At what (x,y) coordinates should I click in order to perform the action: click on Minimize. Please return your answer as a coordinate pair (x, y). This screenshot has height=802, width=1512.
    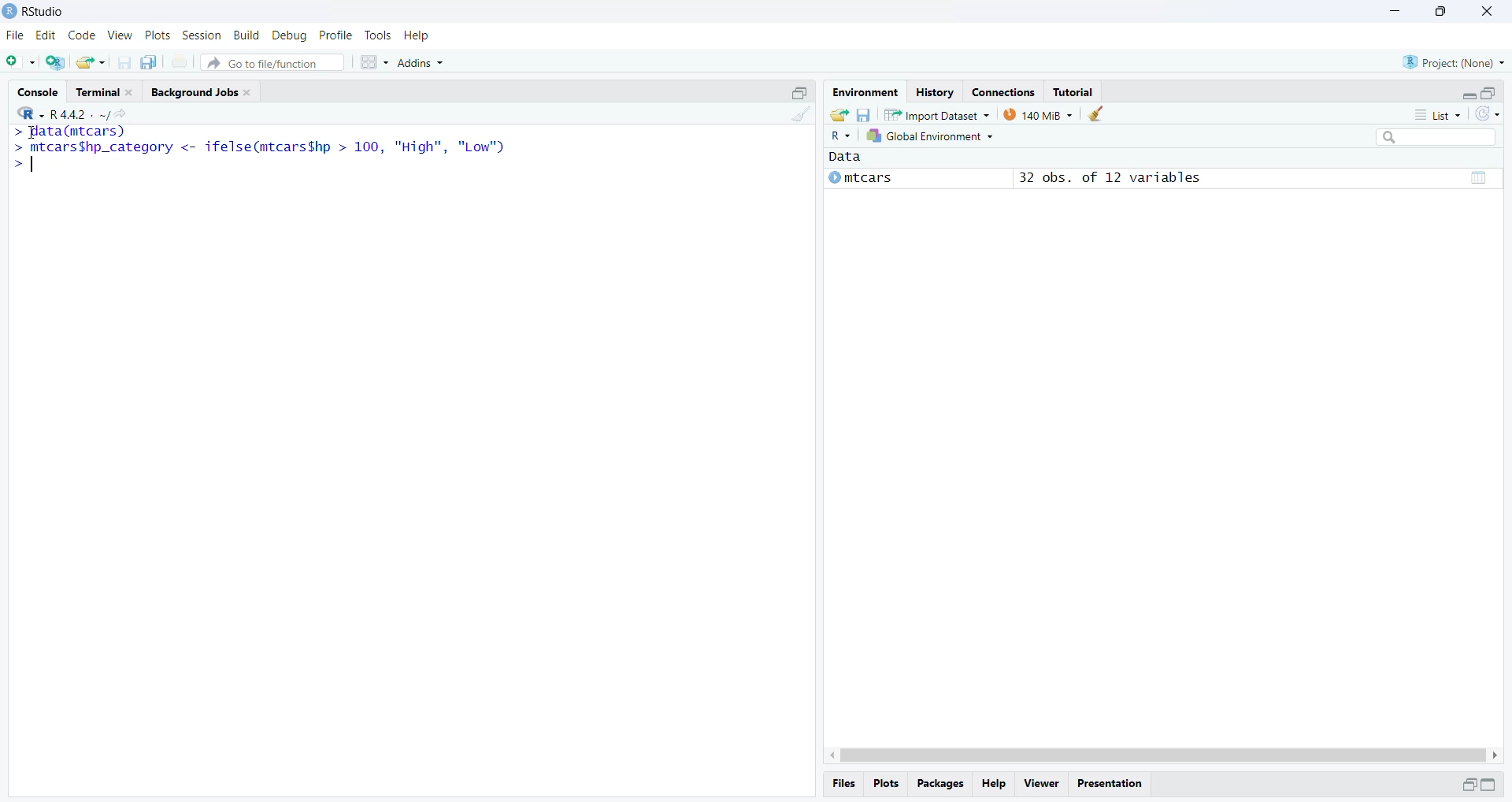
    Looking at the image, I should click on (1395, 12).